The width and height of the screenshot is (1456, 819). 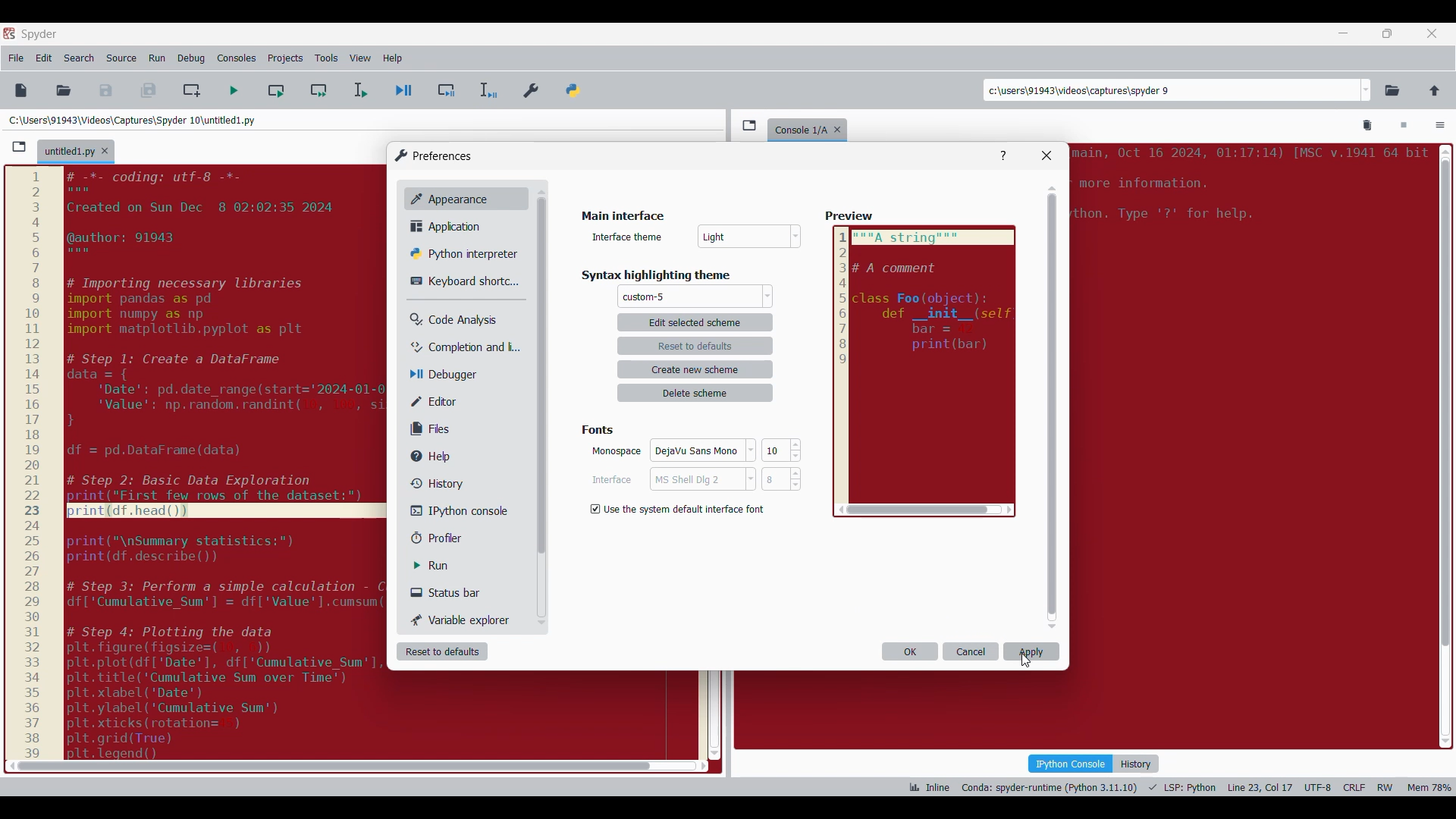 What do you see at coordinates (392, 58) in the screenshot?
I see `Help menu` at bounding box center [392, 58].